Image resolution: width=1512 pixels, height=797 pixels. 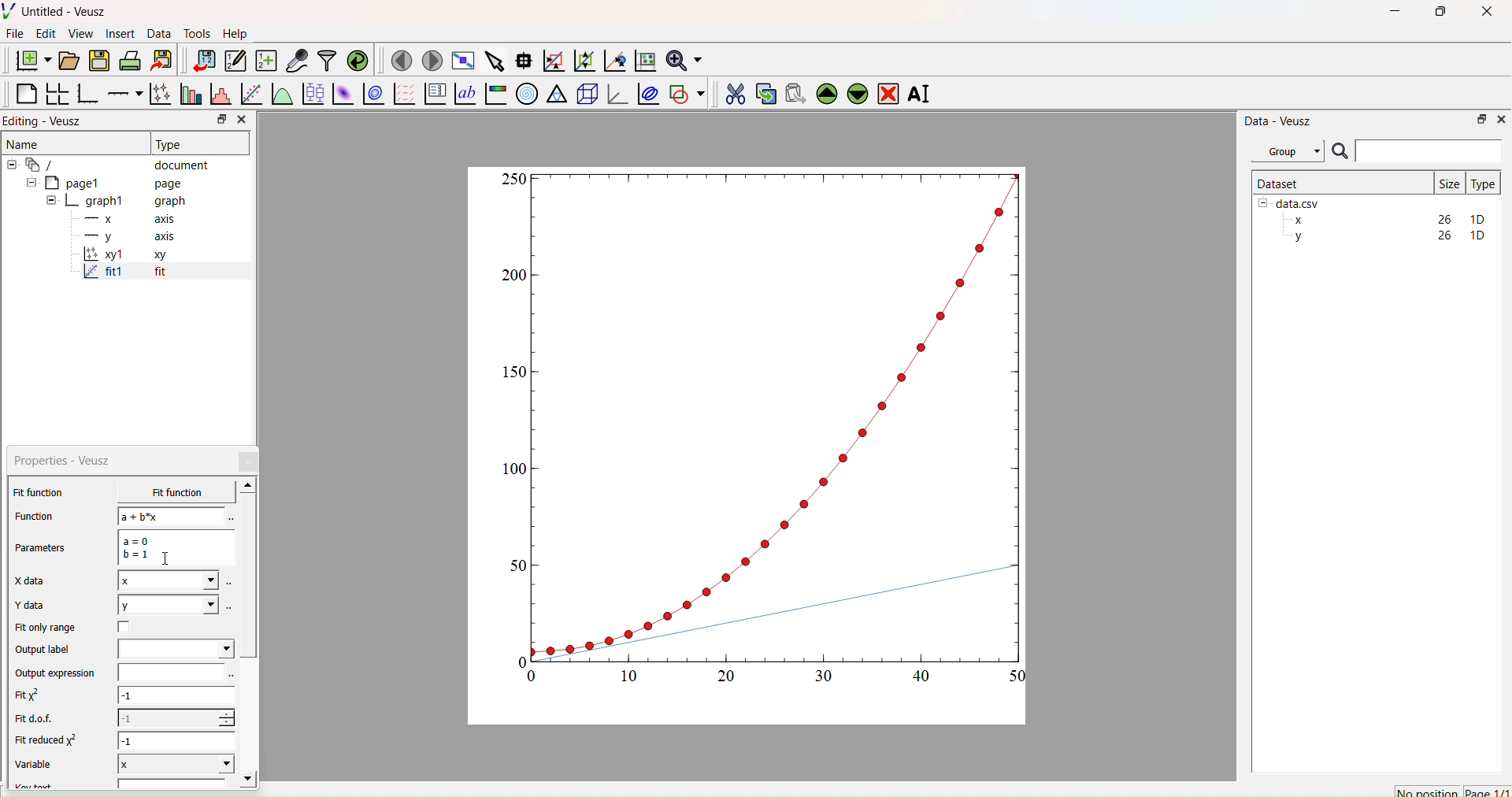 What do you see at coordinates (762, 92) in the screenshot?
I see `Copy` at bounding box center [762, 92].